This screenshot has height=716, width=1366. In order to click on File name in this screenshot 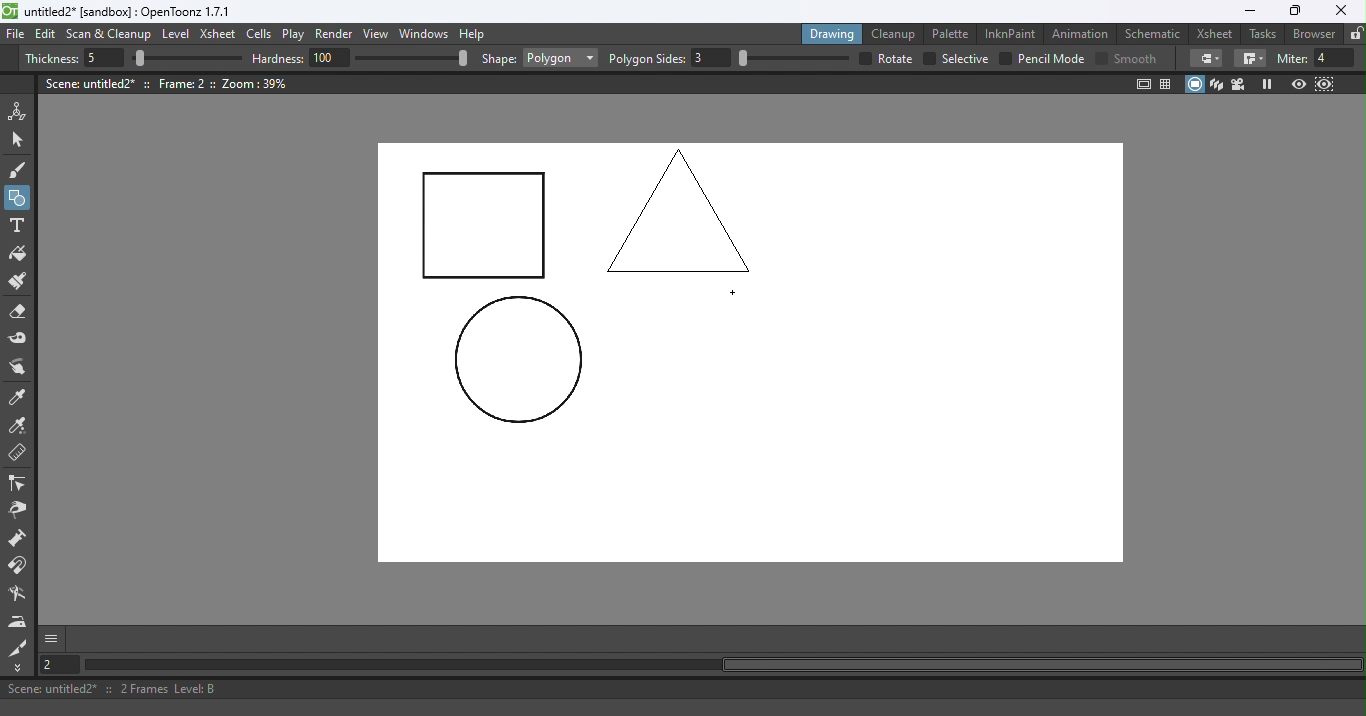, I will do `click(129, 12)`.